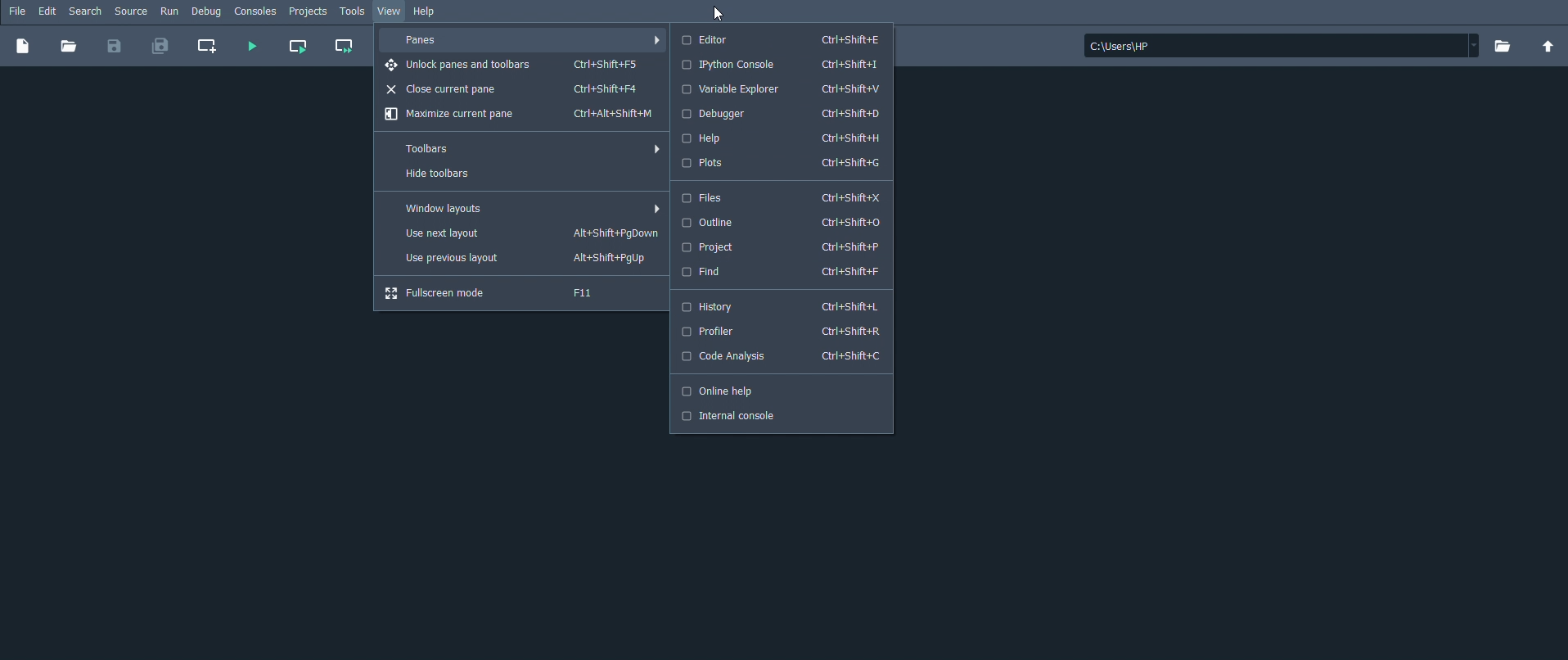 This screenshot has height=660, width=1568. Describe the element at coordinates (47, 11) in the screenshot. I see `Edit` at that location.